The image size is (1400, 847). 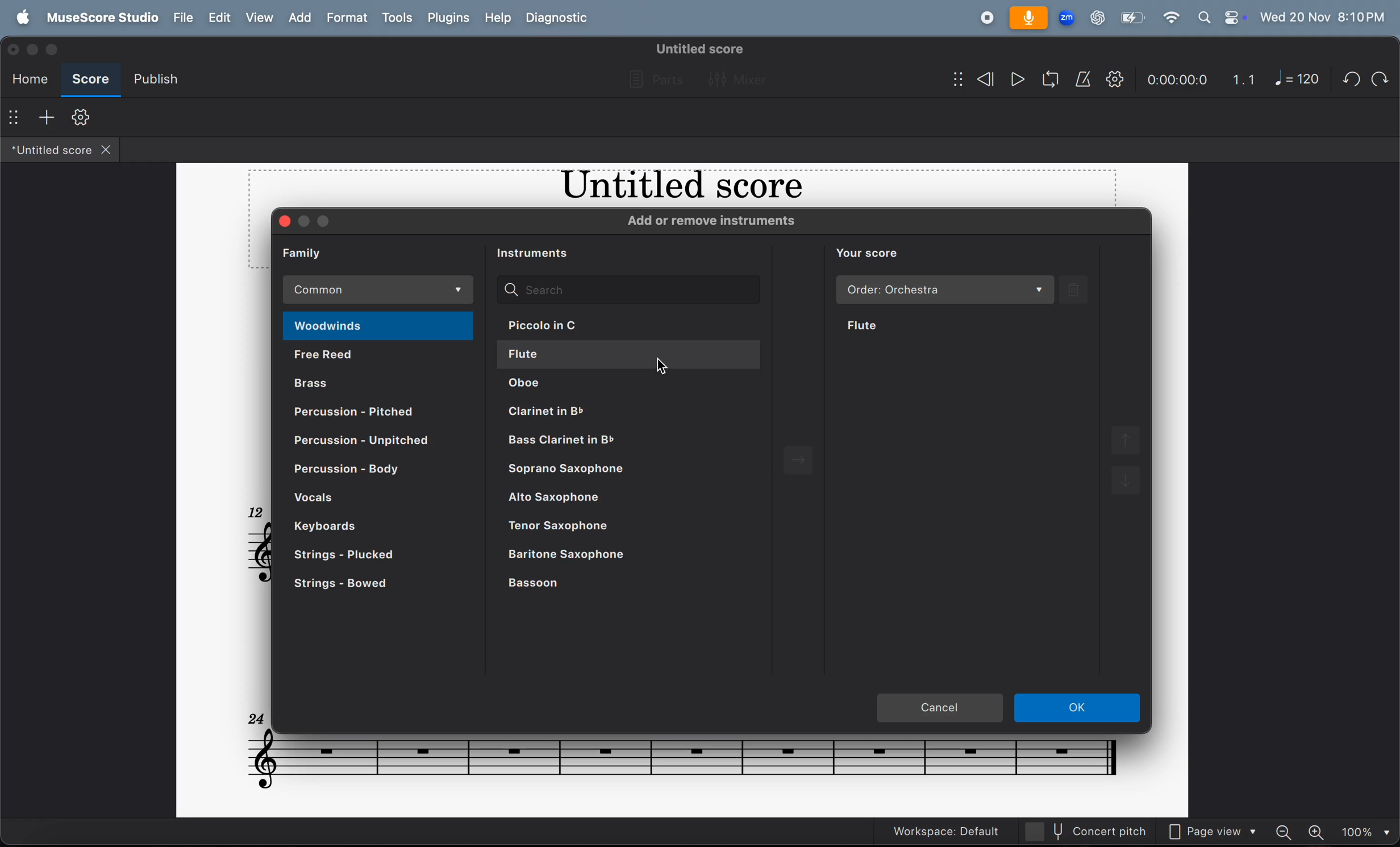 I want to click on apple menu, so click(x=23, y=17).